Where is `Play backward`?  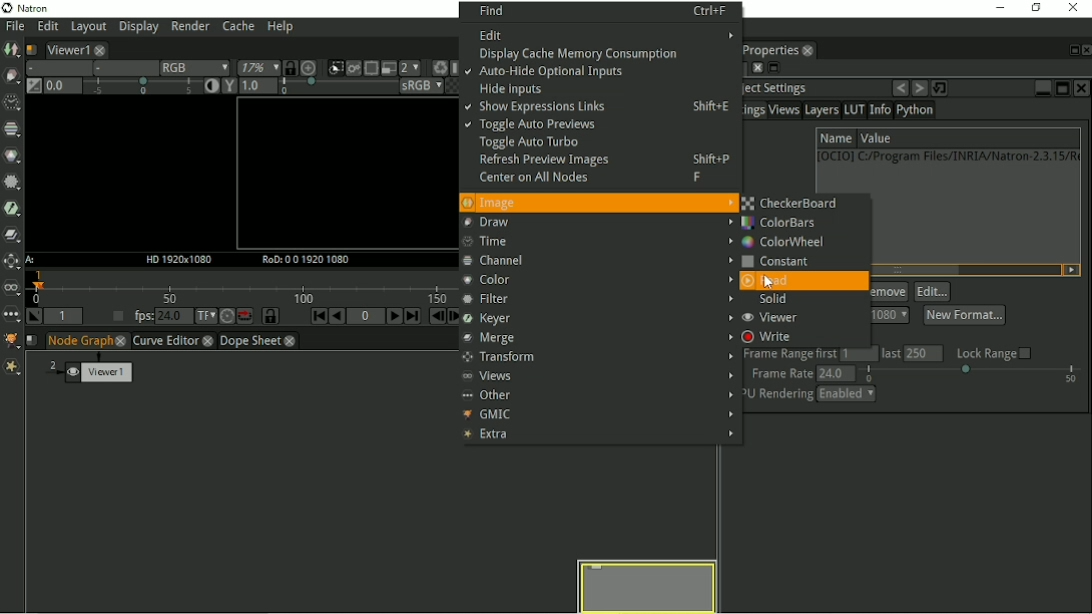 Play backward is located at coordinates (335, 316).